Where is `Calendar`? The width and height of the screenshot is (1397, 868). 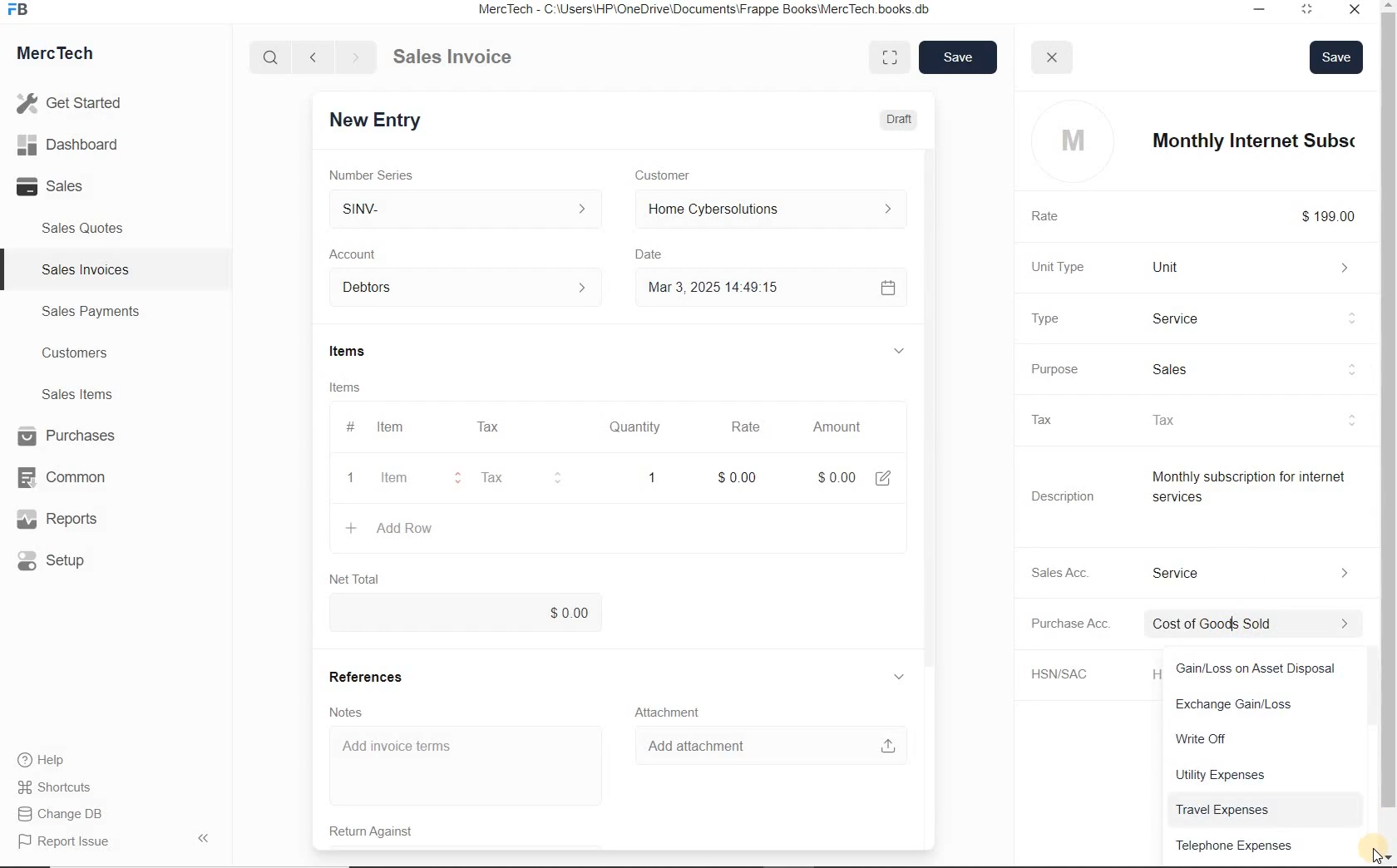 Calendar is located at coordinates (892, 287).